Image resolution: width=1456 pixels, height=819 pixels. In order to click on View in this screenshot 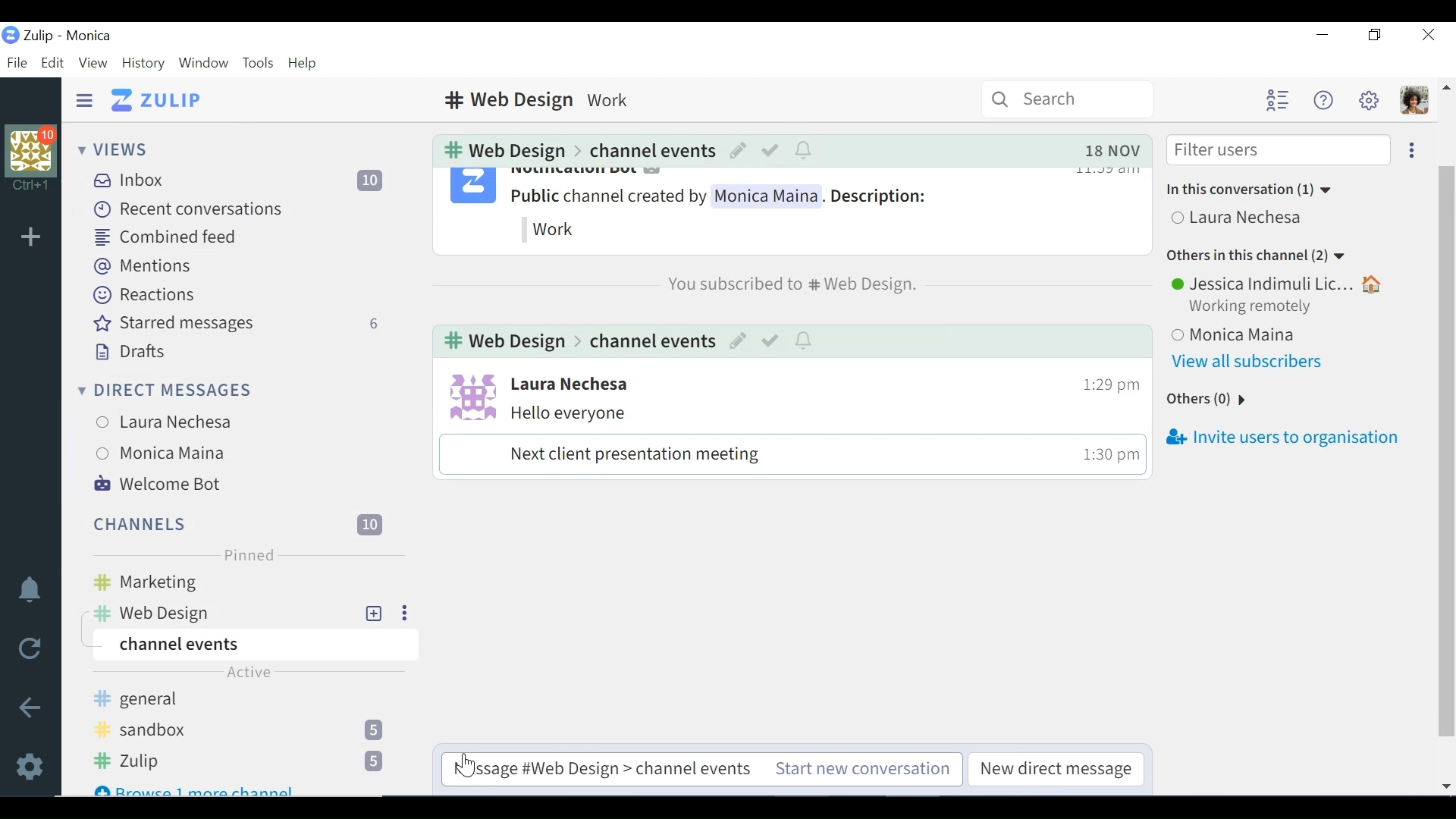, I will do `click(92, 61)`.